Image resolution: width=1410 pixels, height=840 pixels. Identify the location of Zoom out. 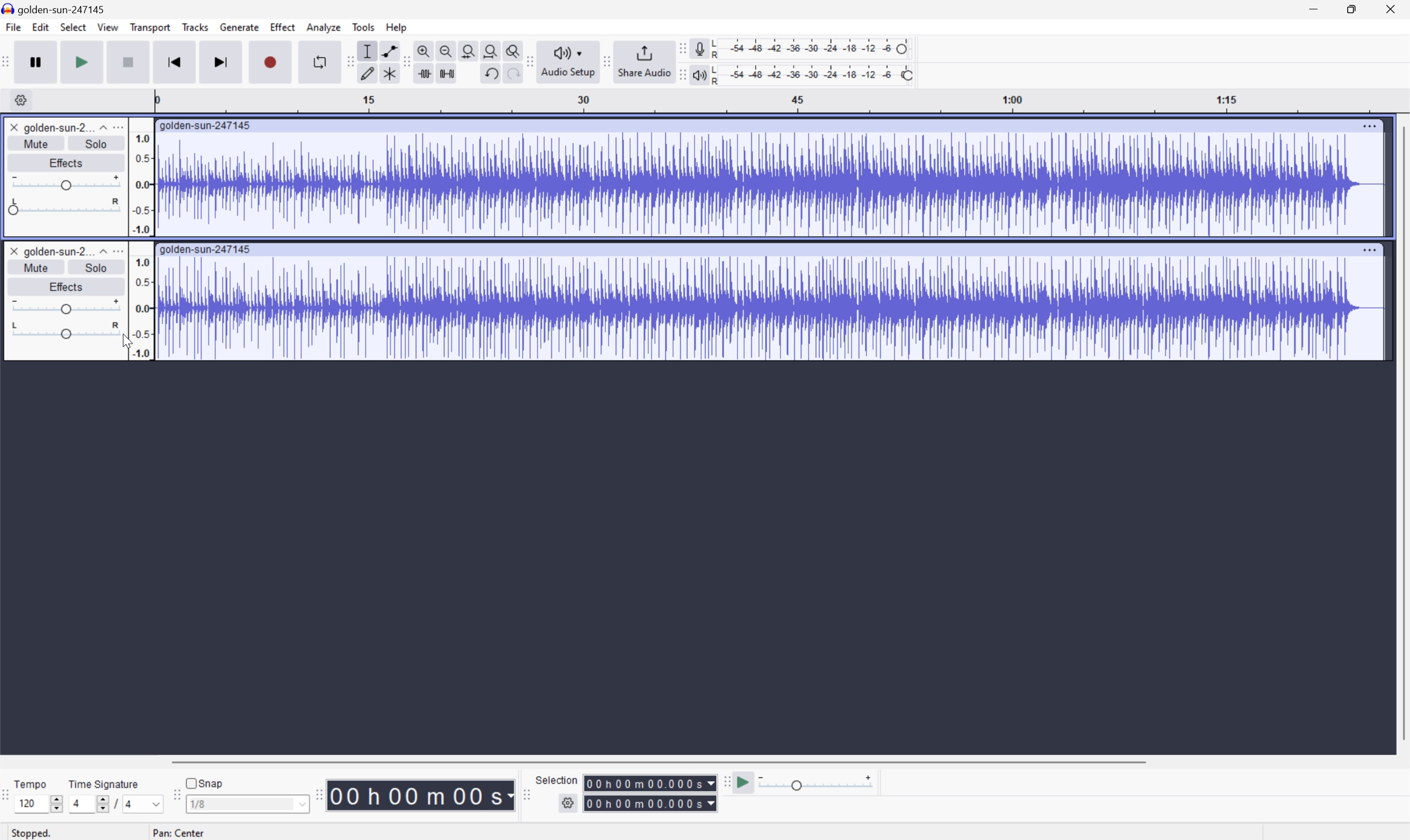
(447, 50).